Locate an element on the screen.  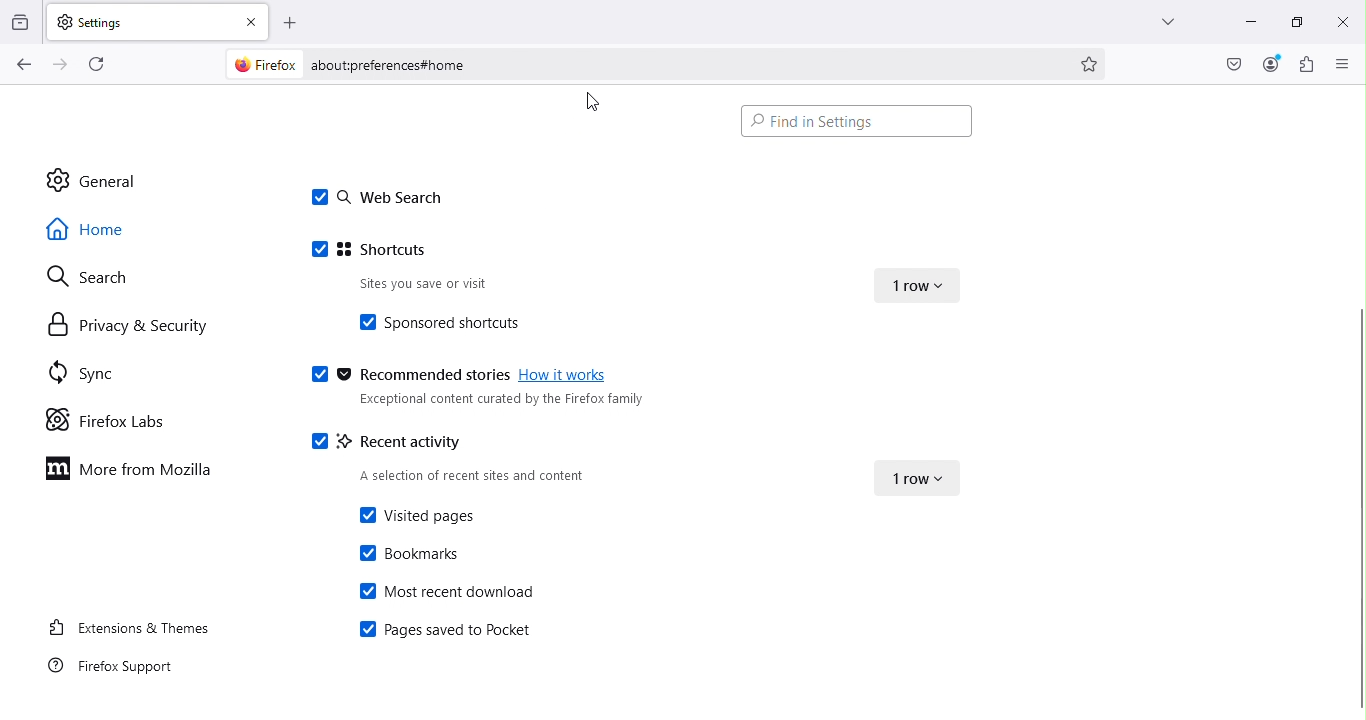
Reload the current page is located at coordinates (102, 63).